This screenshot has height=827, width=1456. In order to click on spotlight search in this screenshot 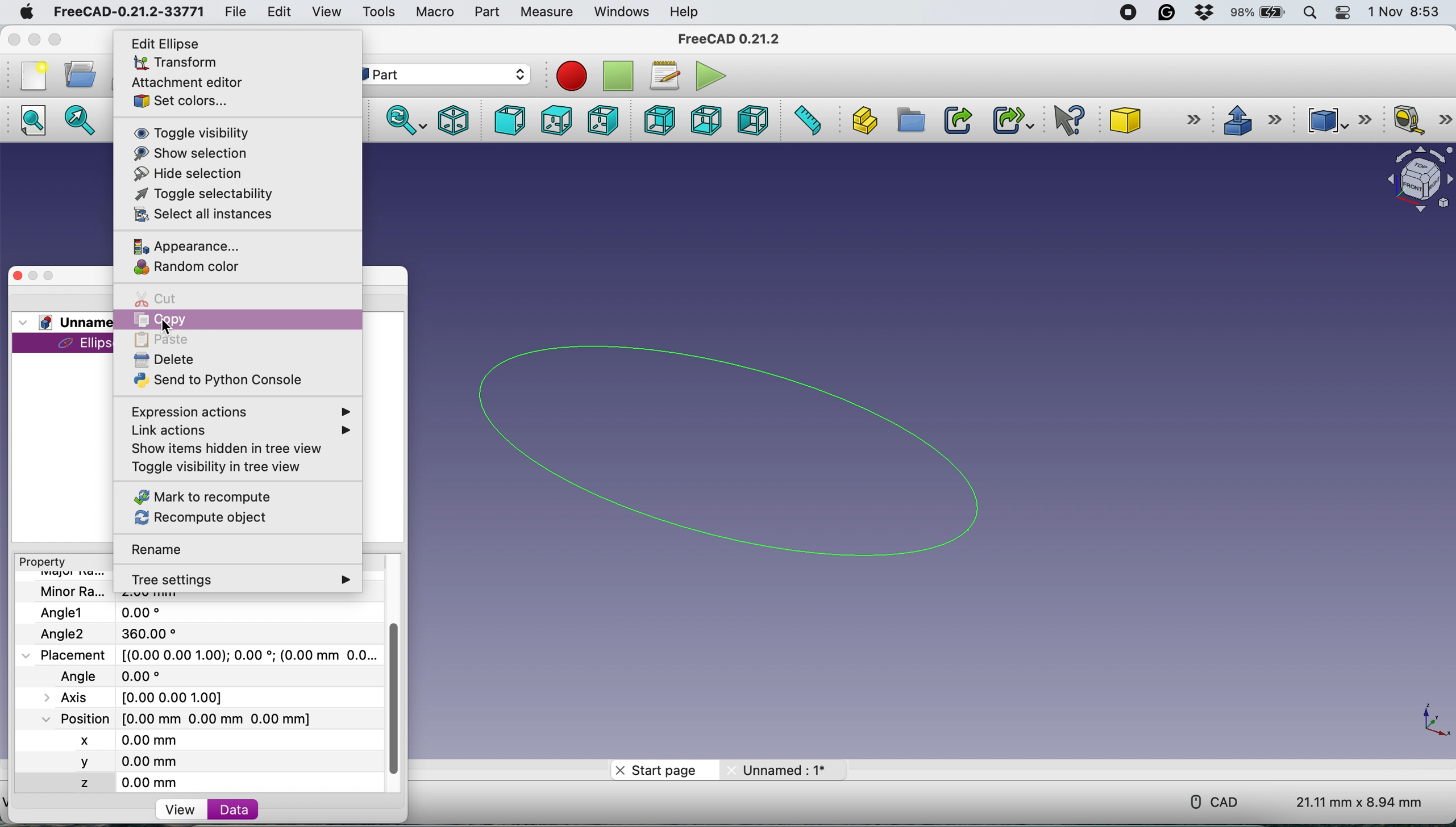, I will do `click(1311, 14)`.